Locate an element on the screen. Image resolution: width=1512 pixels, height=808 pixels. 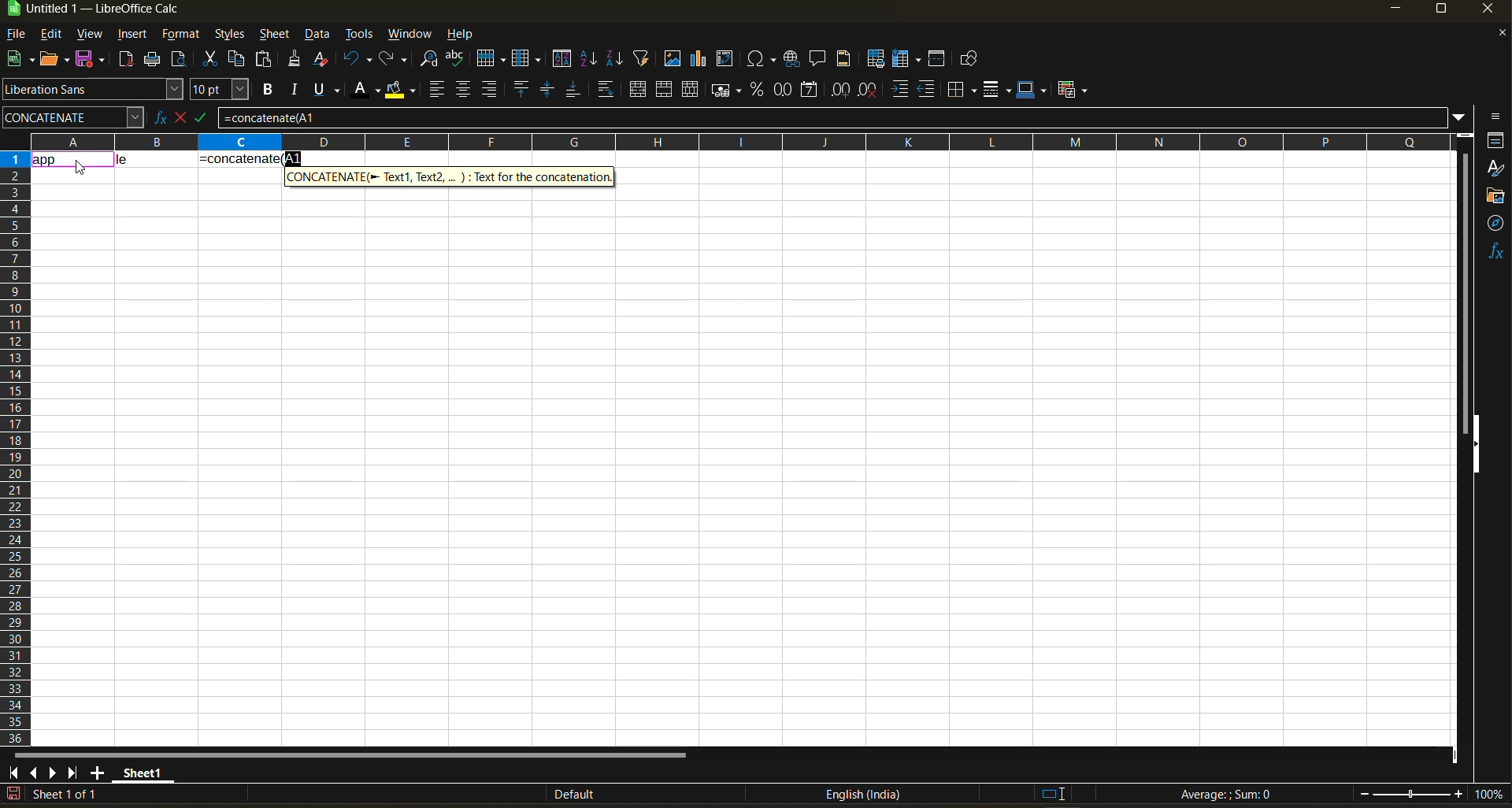
minimize is located at coordinates (1394, 9).